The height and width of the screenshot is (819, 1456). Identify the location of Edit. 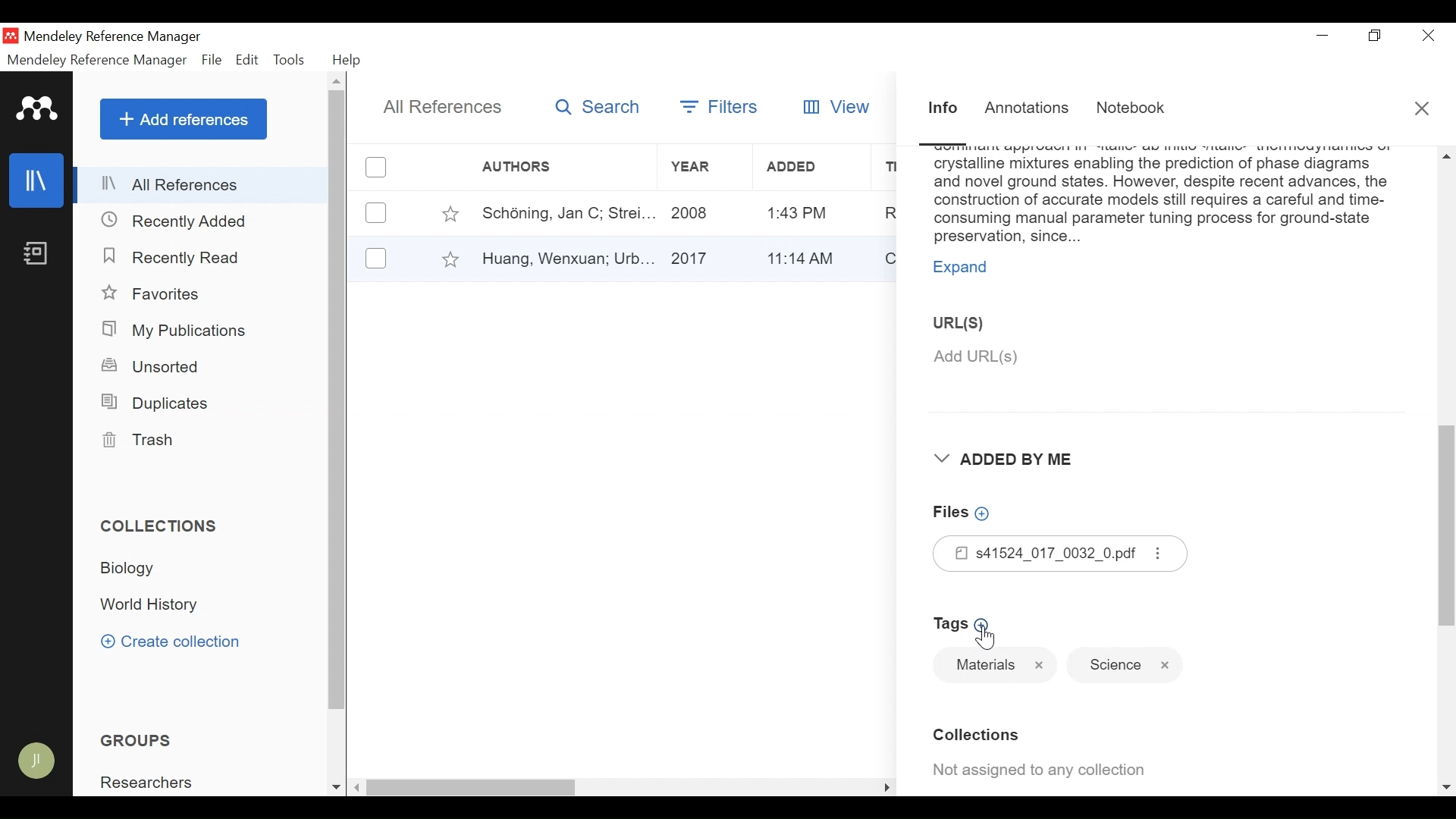
(247, 60).